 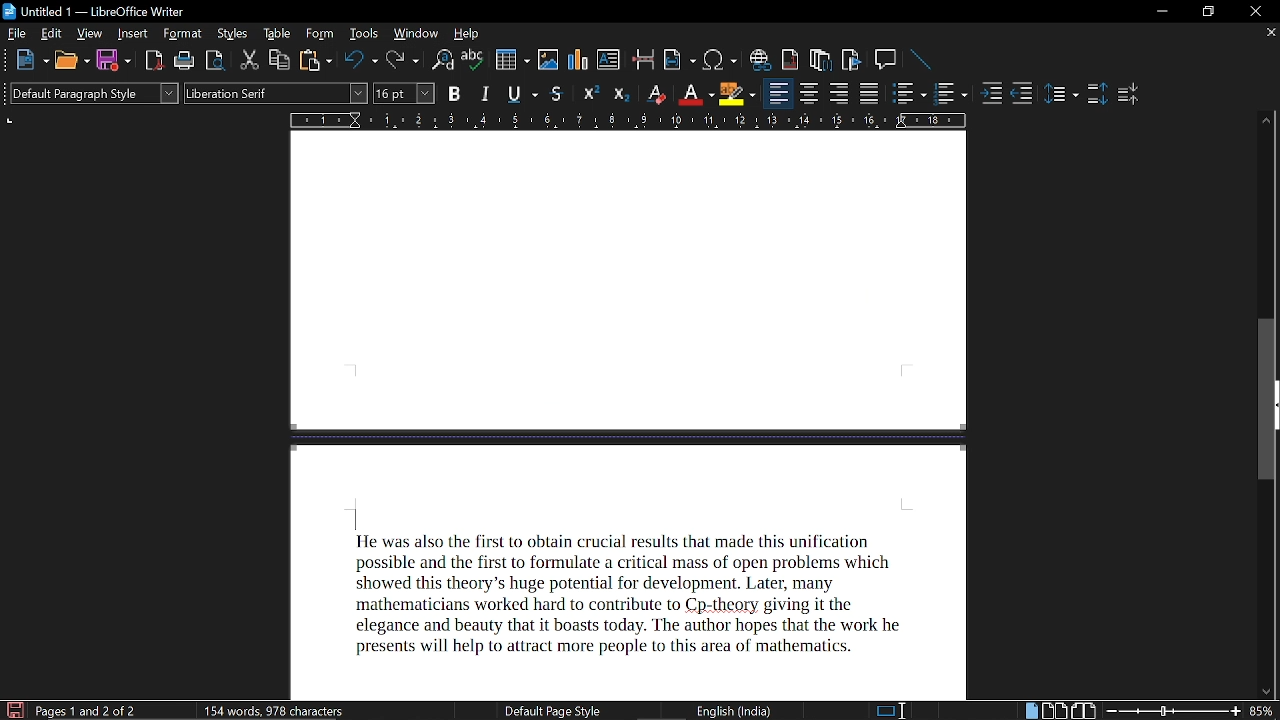 I want to click on Page break added after the first paragraph, so click(x=646, y=418).